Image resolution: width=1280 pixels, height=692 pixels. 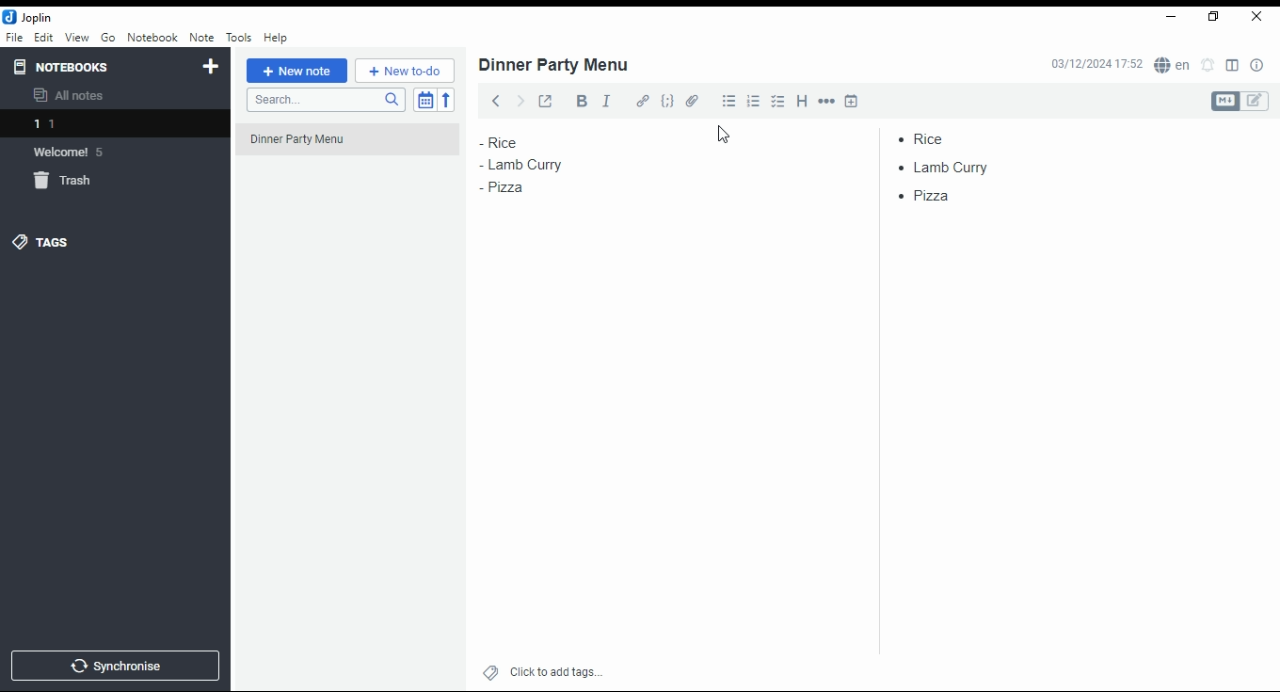 What do you see at coordinates (1256, 18) in the screenshot?
I see `close ` at bounding box center [1256, 18].